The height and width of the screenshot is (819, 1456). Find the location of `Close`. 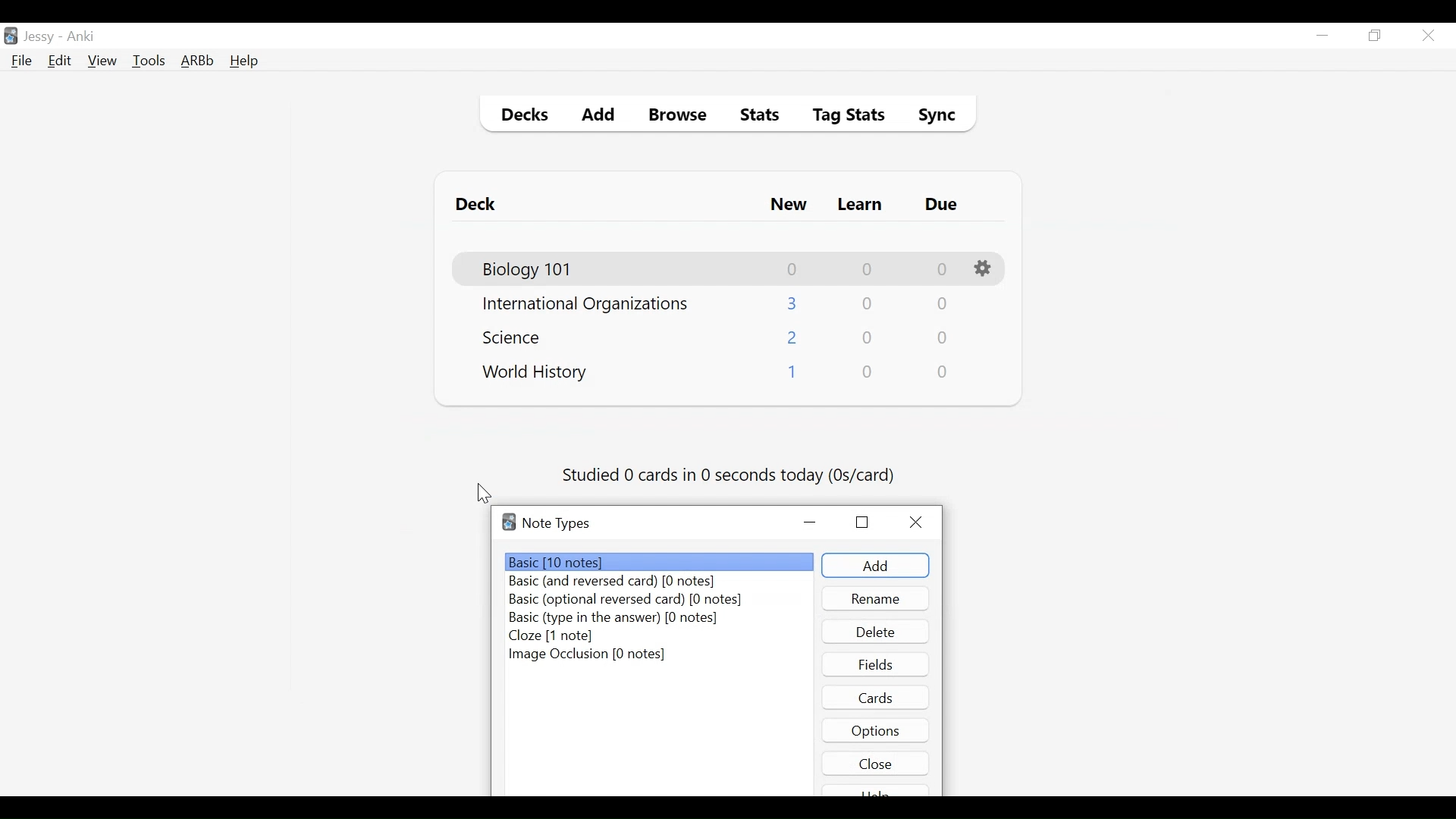

Close is located at coordinates (876, 763).